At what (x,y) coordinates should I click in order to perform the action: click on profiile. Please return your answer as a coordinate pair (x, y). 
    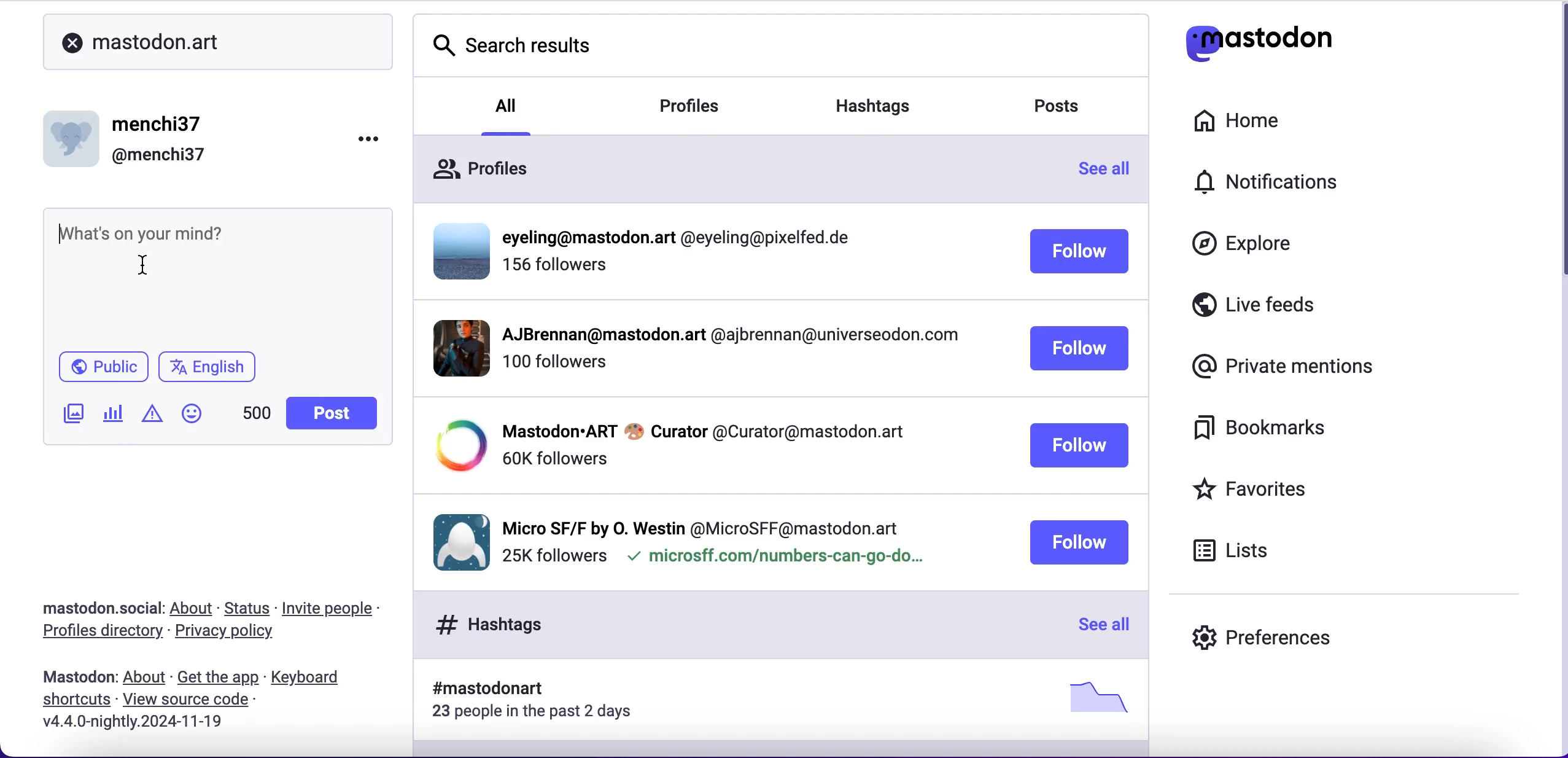
    Looking at the image, I should click on (683, 238).